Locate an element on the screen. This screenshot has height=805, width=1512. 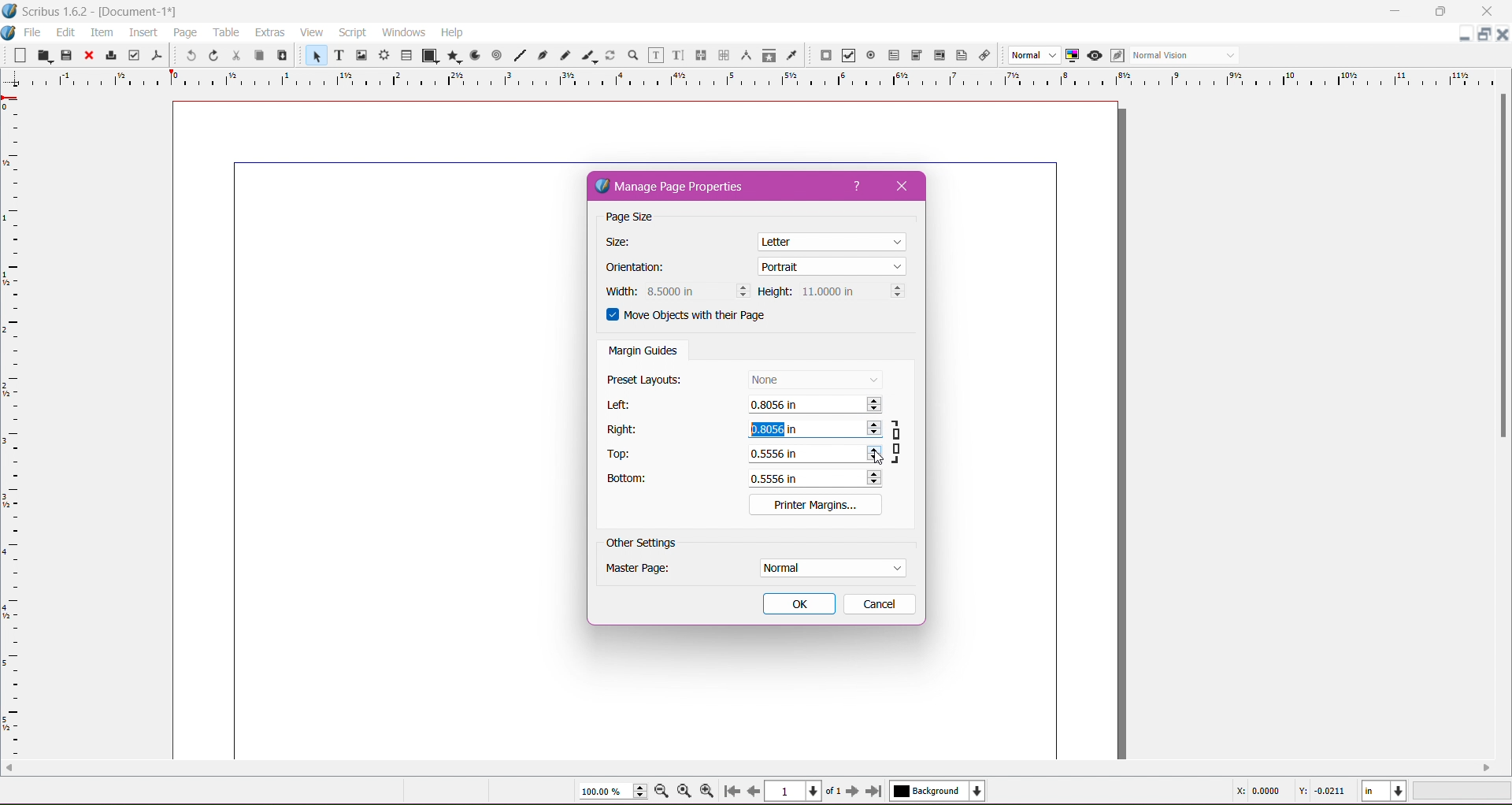
Link Annotation is located at coordinates (986, 57).